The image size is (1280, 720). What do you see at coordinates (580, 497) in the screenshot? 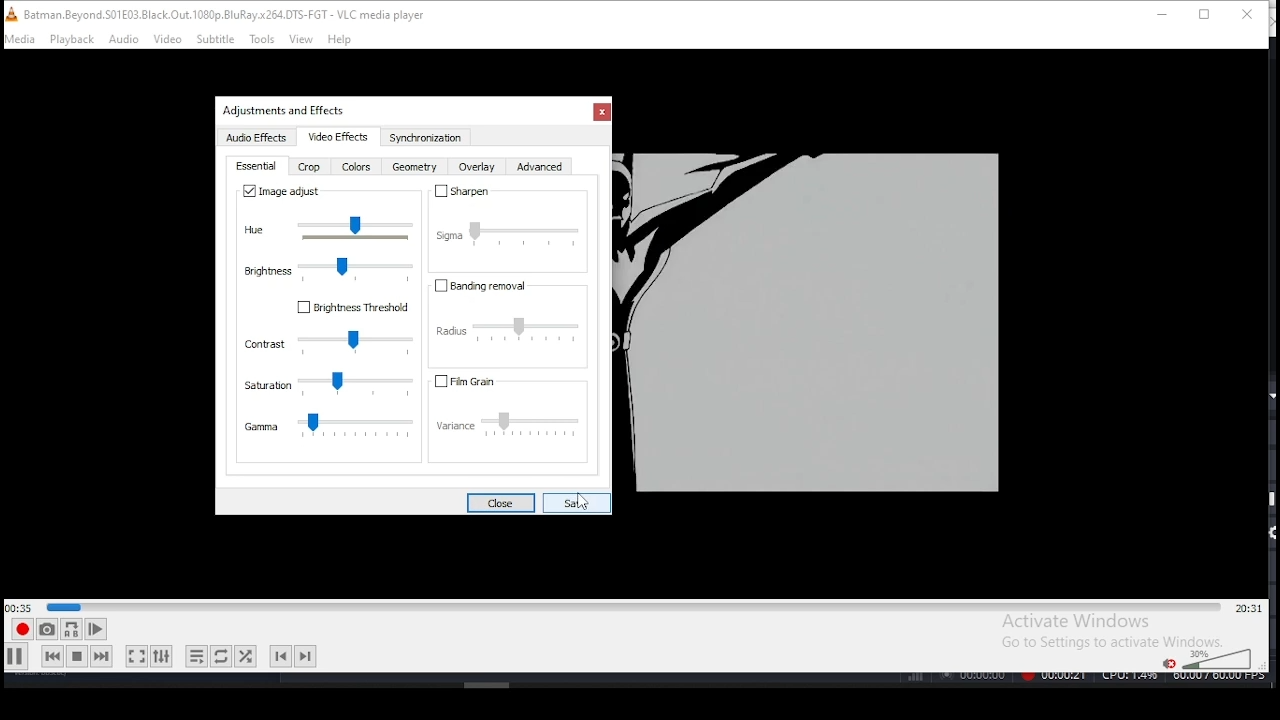
I see `` at bounding box center [580, 497].